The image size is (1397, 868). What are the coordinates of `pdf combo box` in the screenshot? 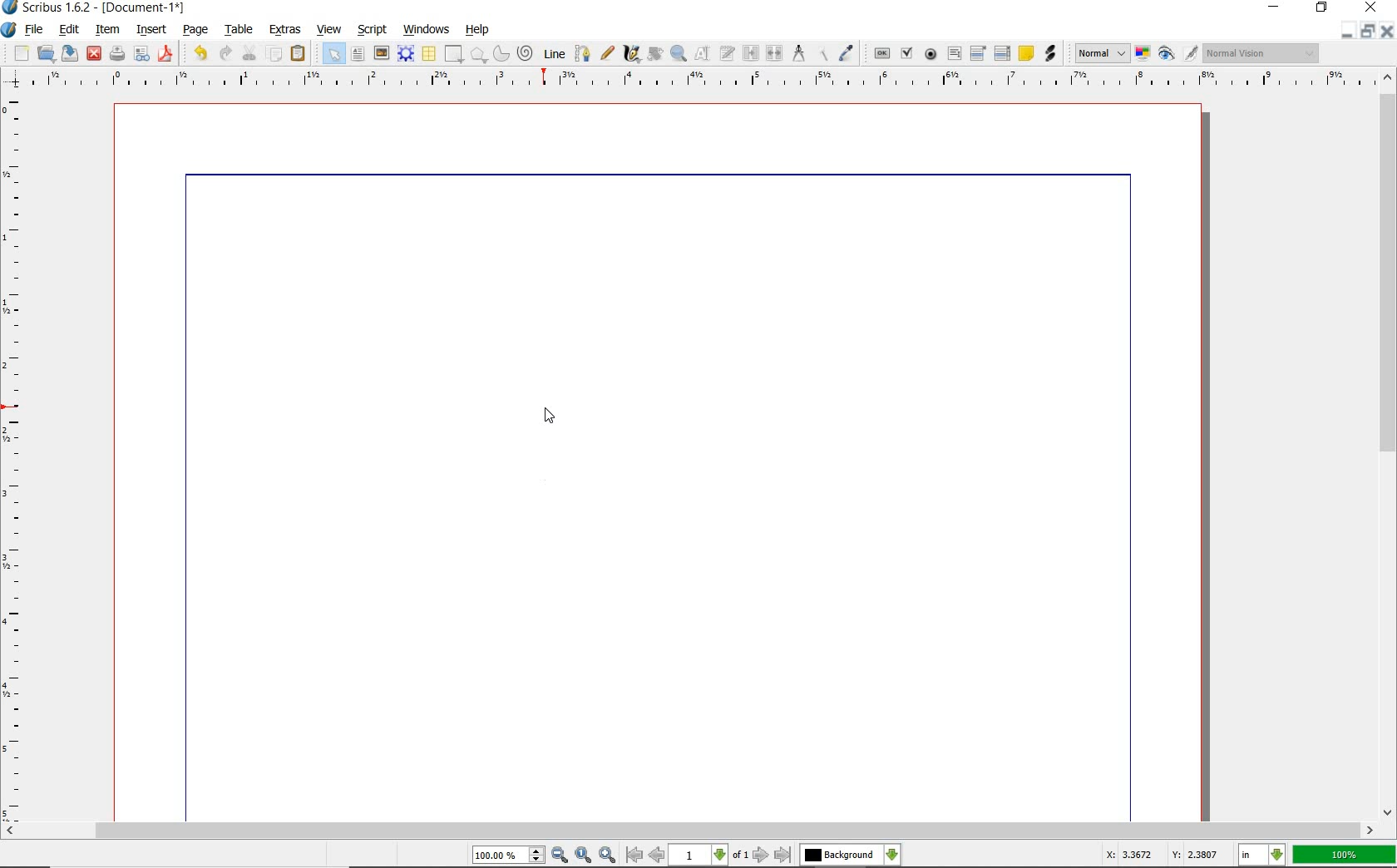 It's located at (979, 53).